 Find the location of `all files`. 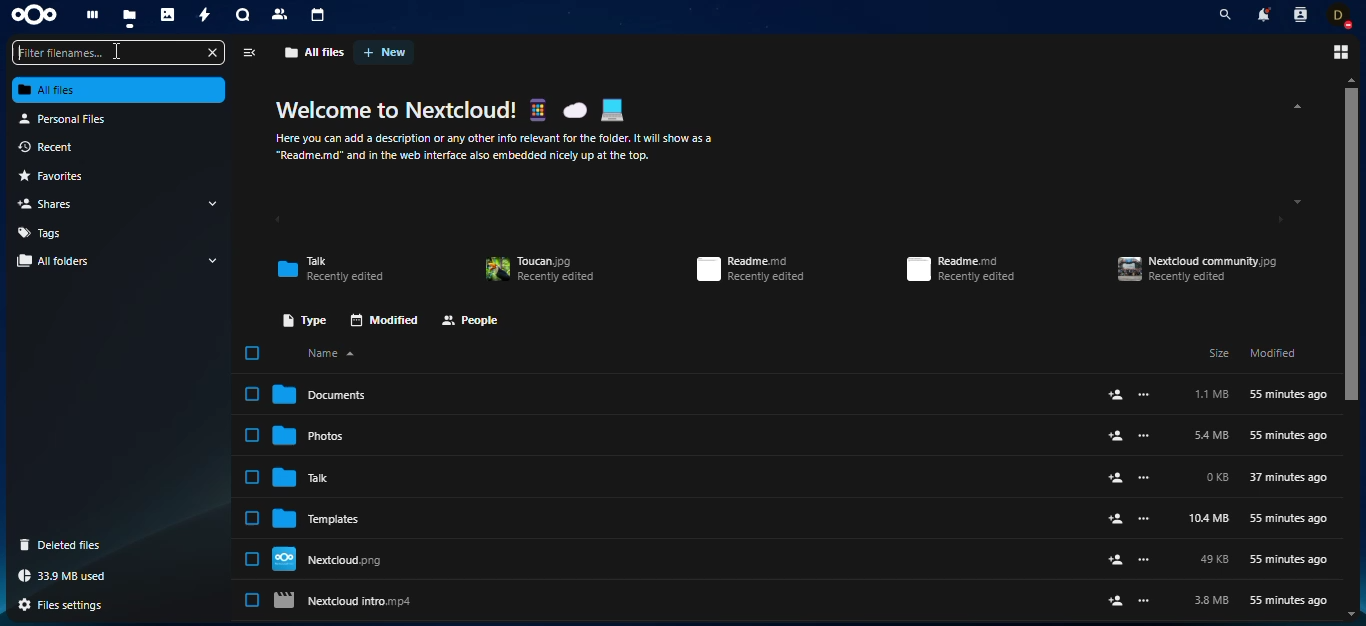

all files is located at coordinates (315, 52).